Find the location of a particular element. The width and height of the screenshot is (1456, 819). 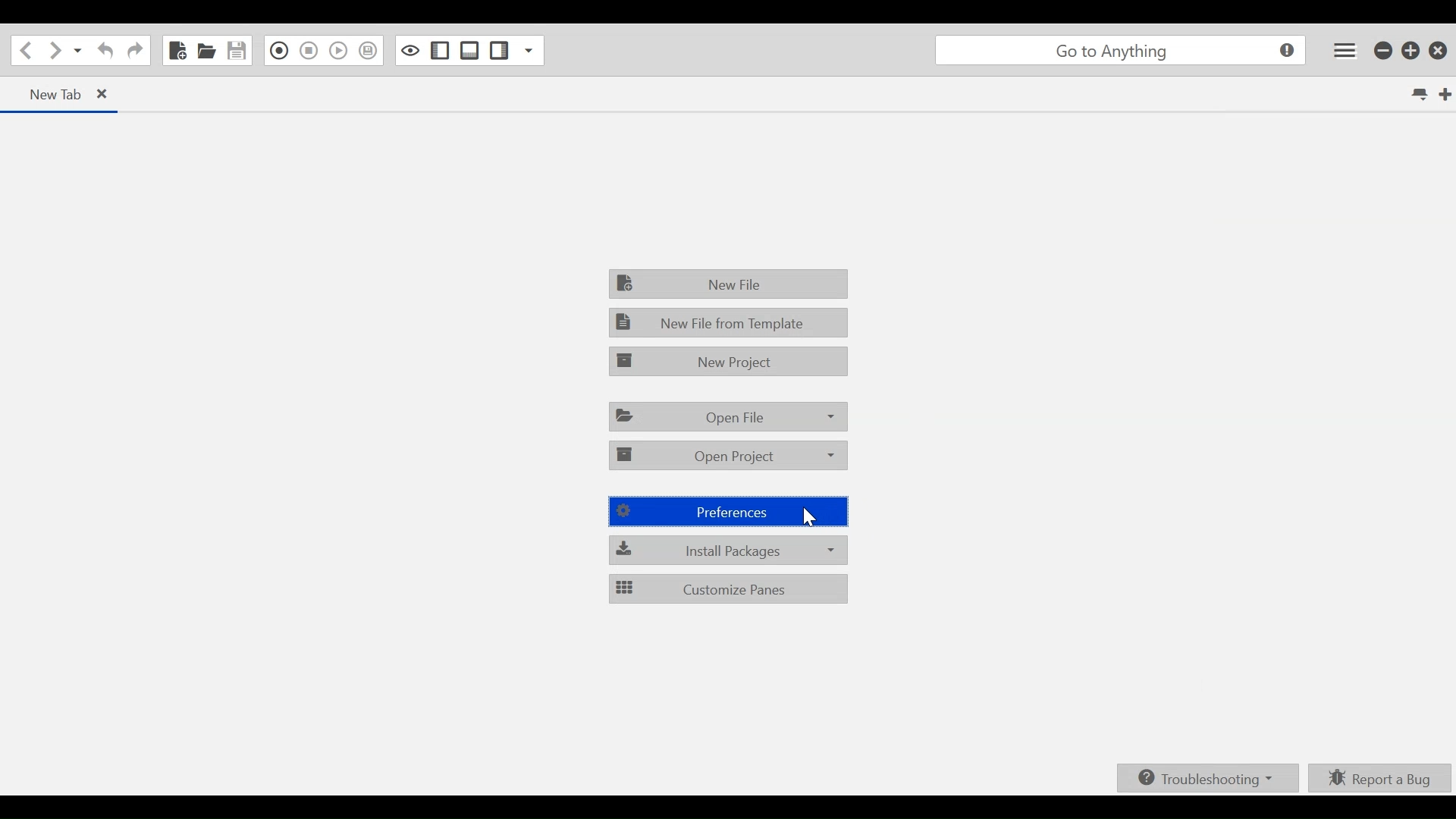

Troubleshooting is located at coordinates (1205, 779).